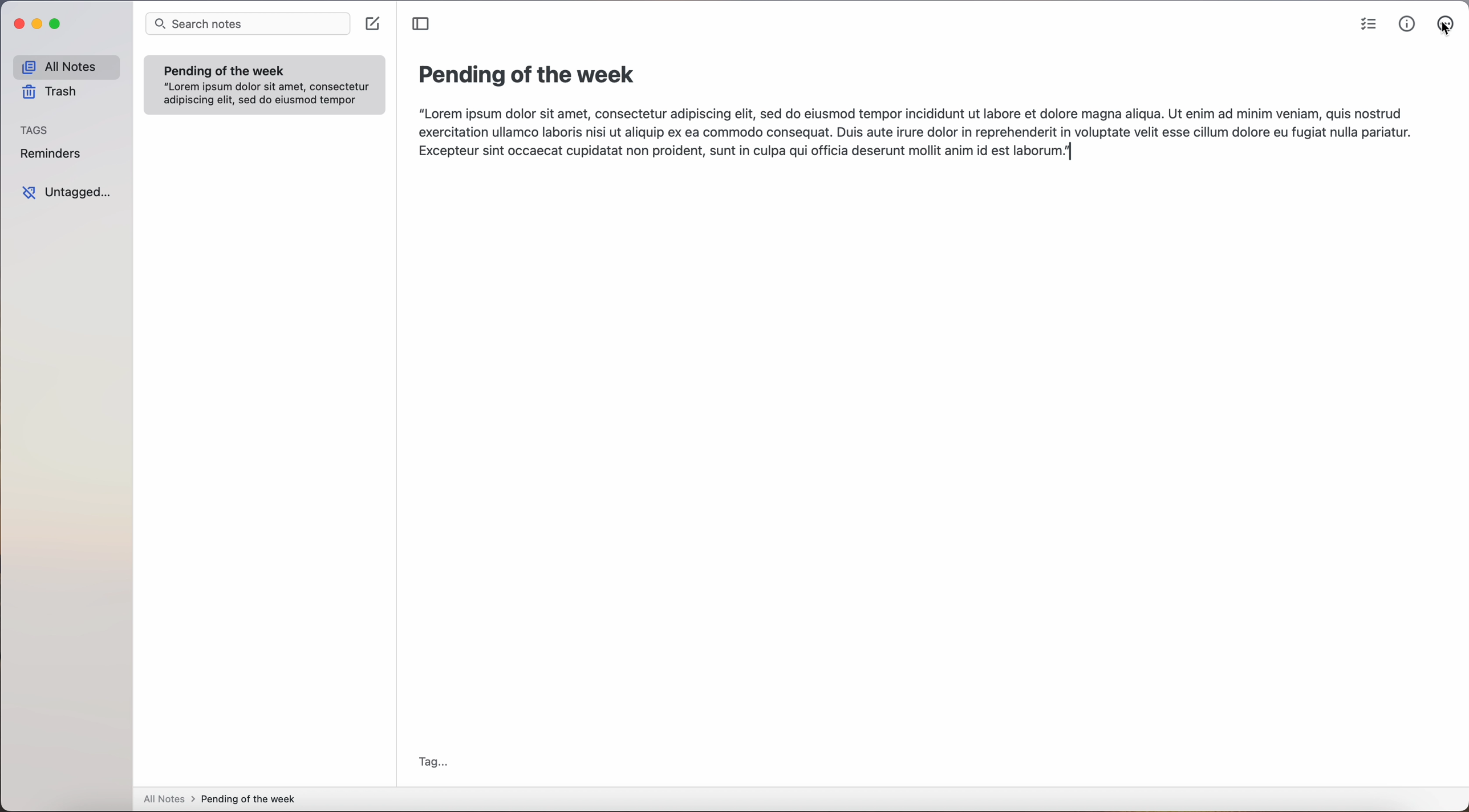  What do you see at coordinates (34, 129) in the screenshot?
I see `tags` at bounding box center [34, 129].